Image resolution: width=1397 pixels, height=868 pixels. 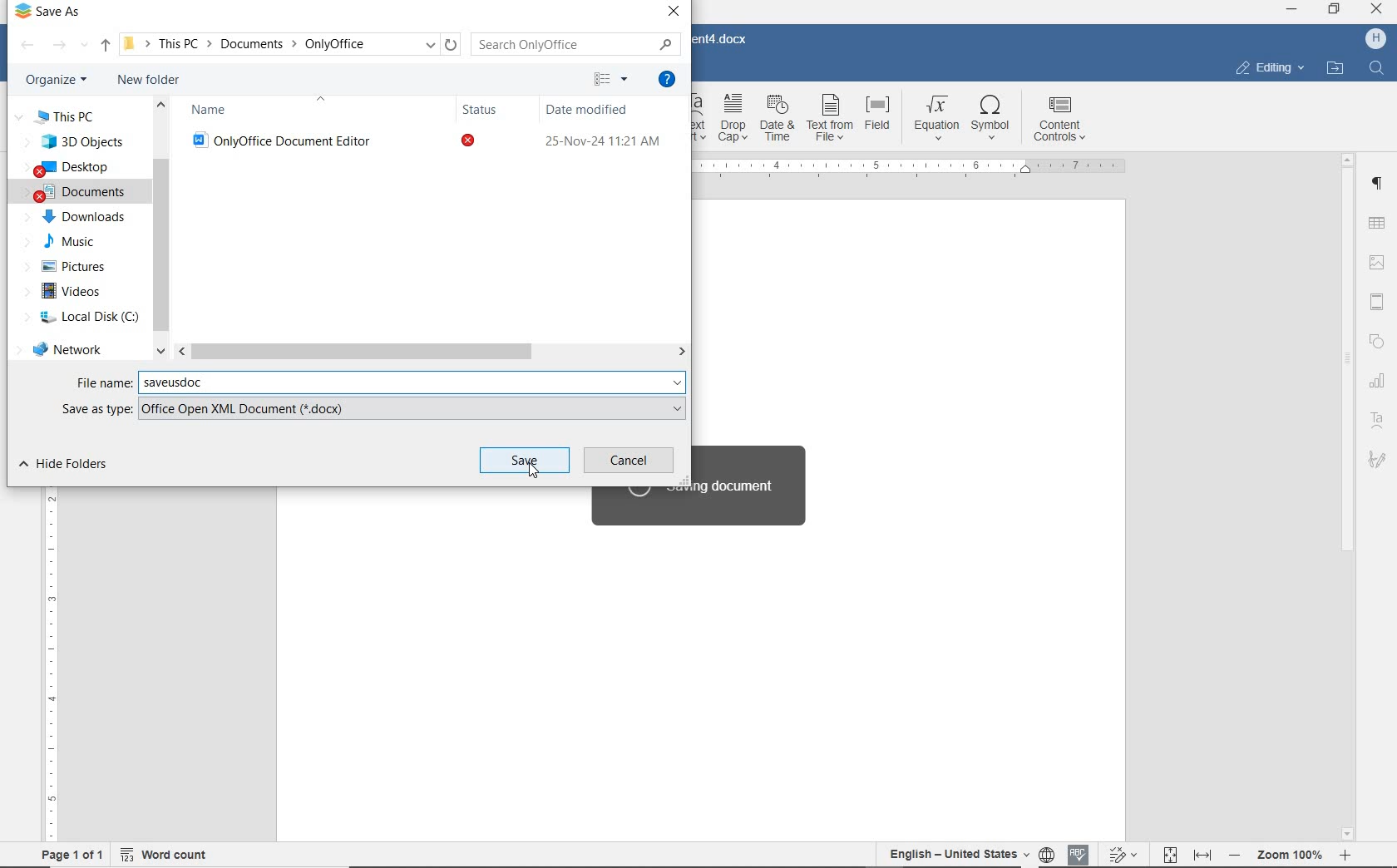 I want to click on drop cap, so click(x=732, y=116).